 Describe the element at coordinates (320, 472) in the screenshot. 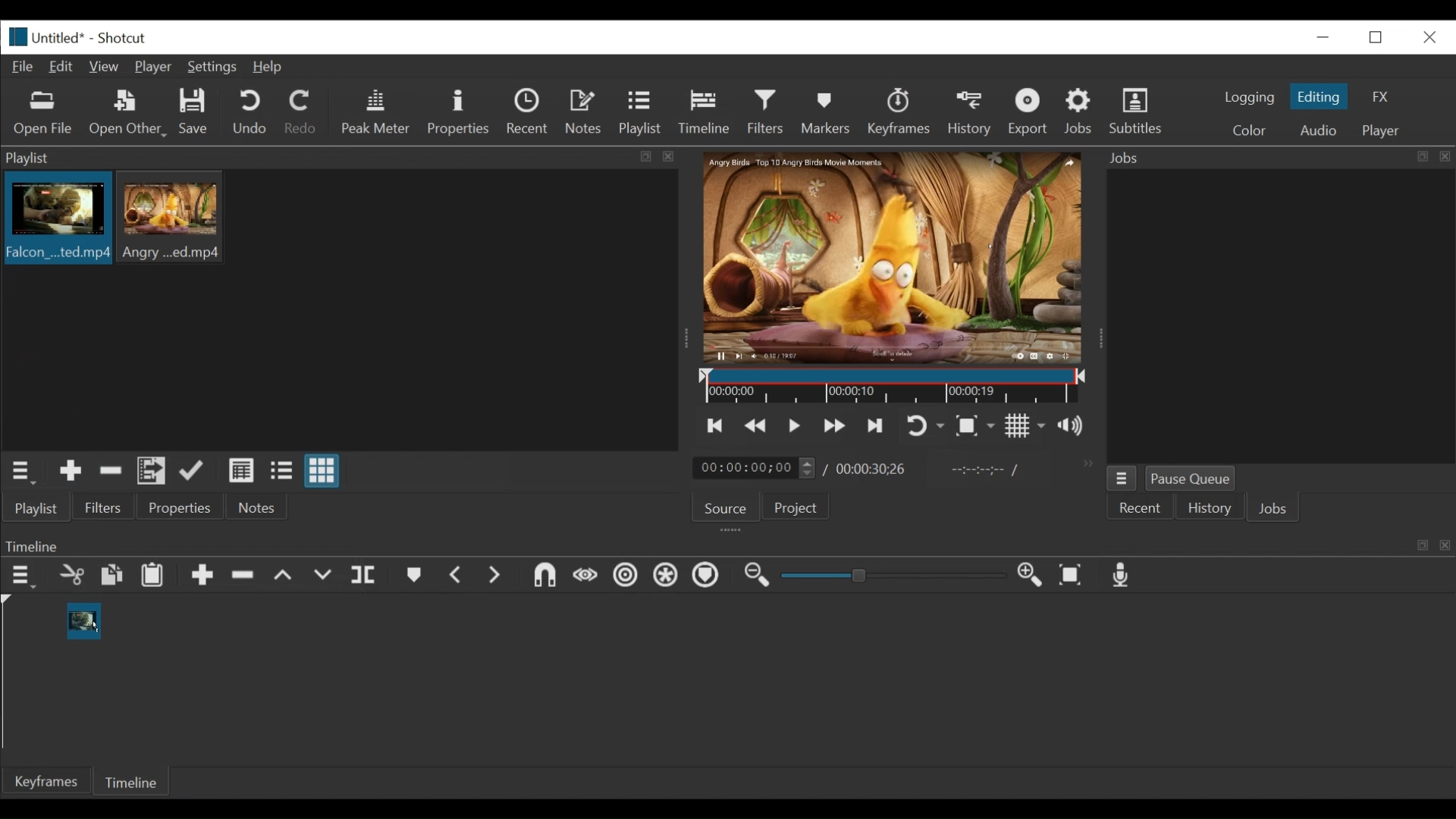

I see `view as icons` at that location.